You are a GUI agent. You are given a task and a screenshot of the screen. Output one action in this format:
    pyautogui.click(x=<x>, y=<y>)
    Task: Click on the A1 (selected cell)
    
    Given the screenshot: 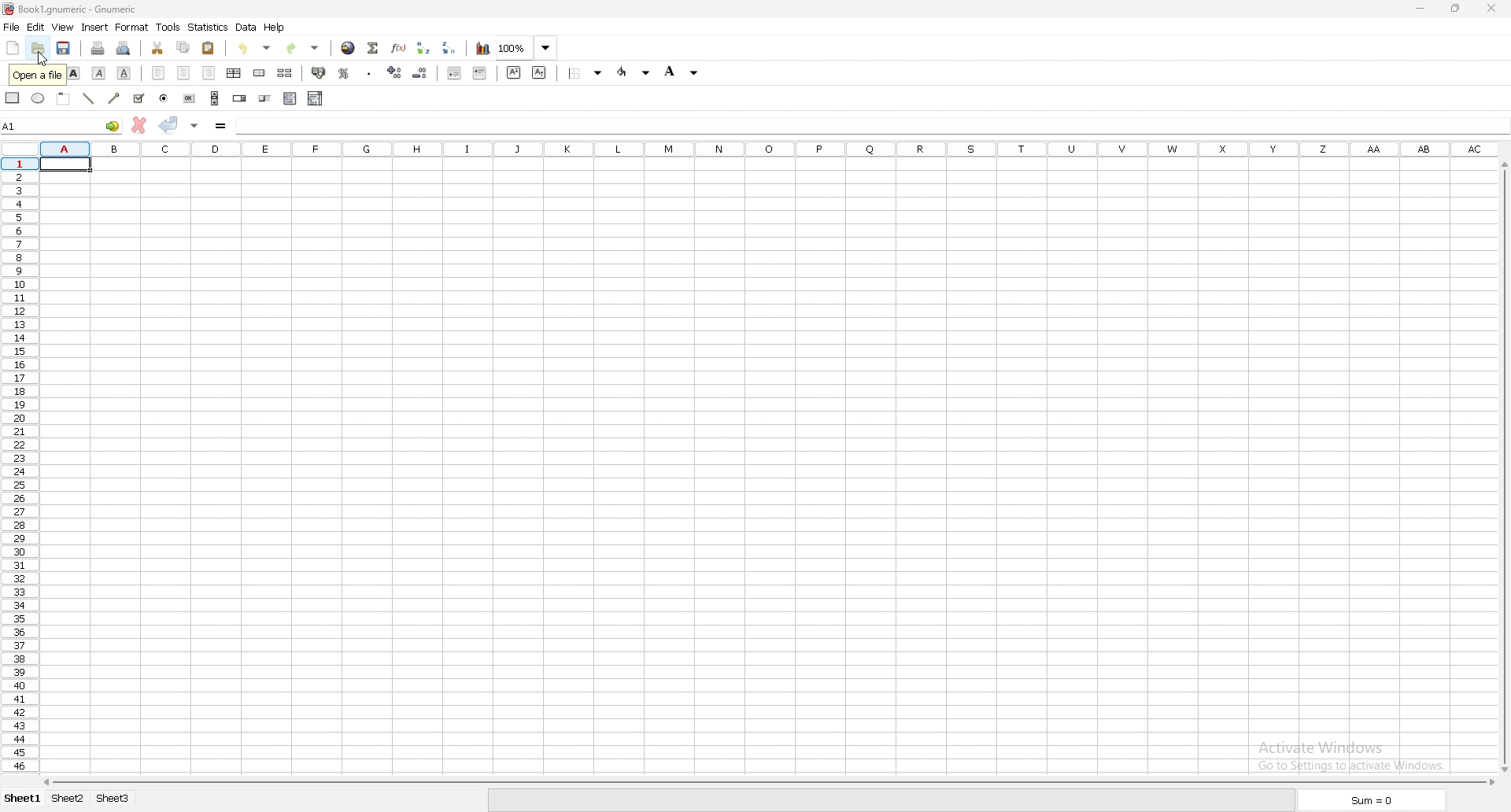 What is the action you would take?
    pyautogui.click(x=66, y=164)
    